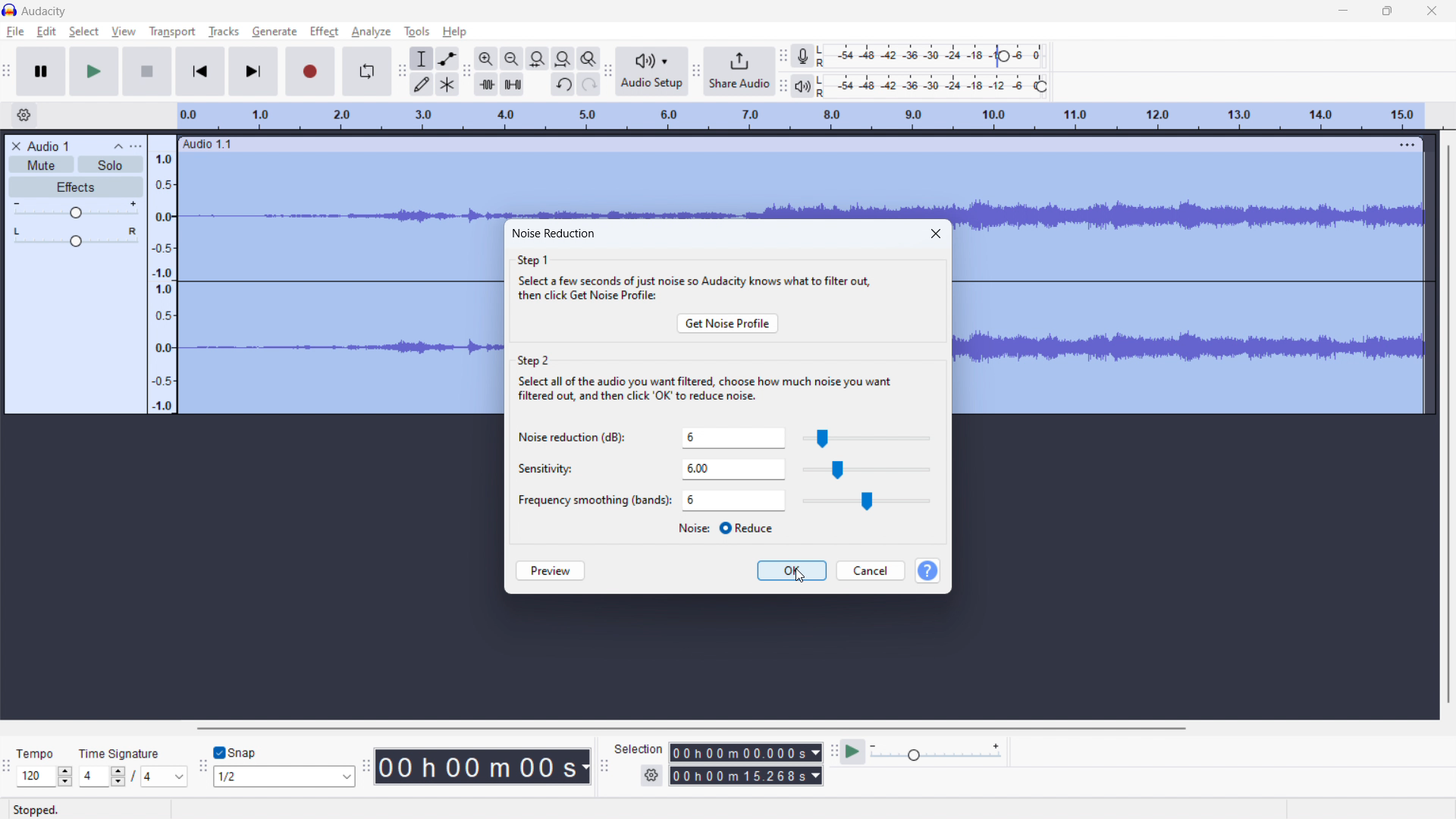 This screenshot has width=1456, height=819. Describe the element at coordinates (783, 86) in the screenshot. I see `playback meter toolbar` at that location.